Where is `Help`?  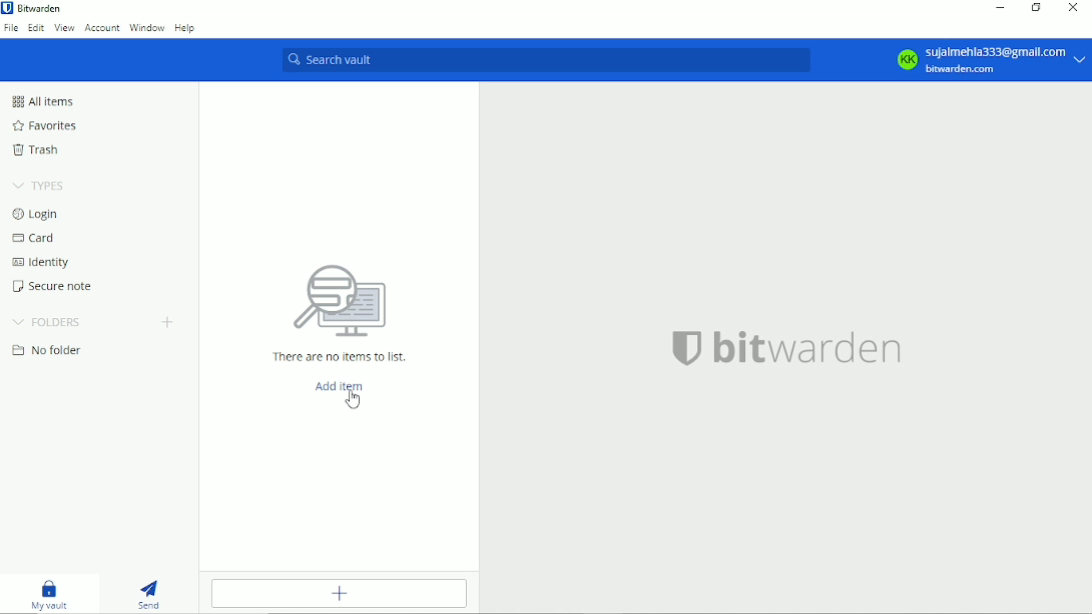 Help is located at coordinates (185, 26).